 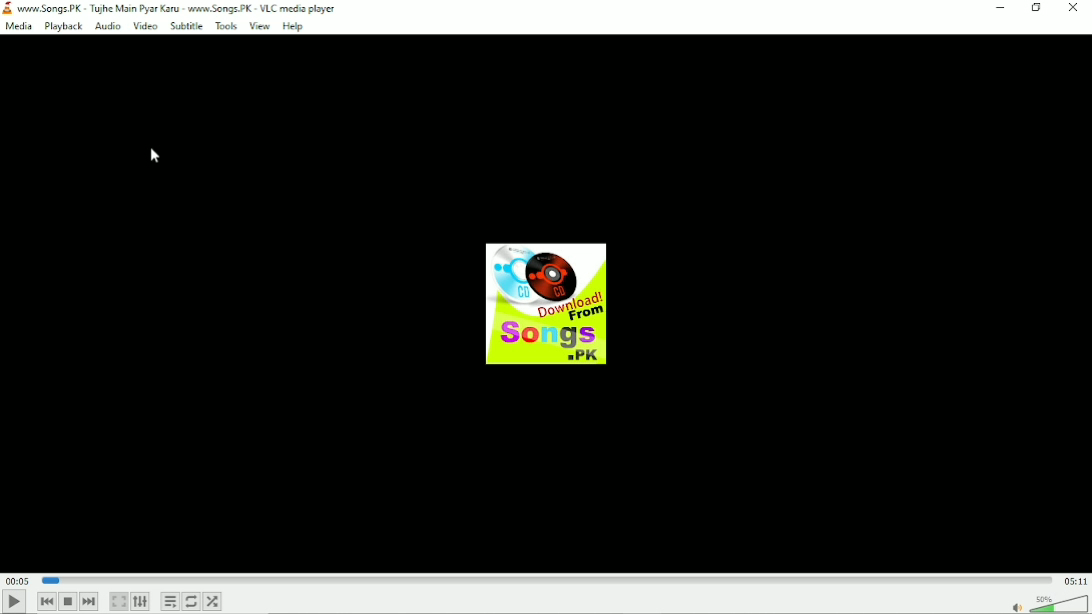 I want to click on Toggle playlist, so click(x=171, y=601).